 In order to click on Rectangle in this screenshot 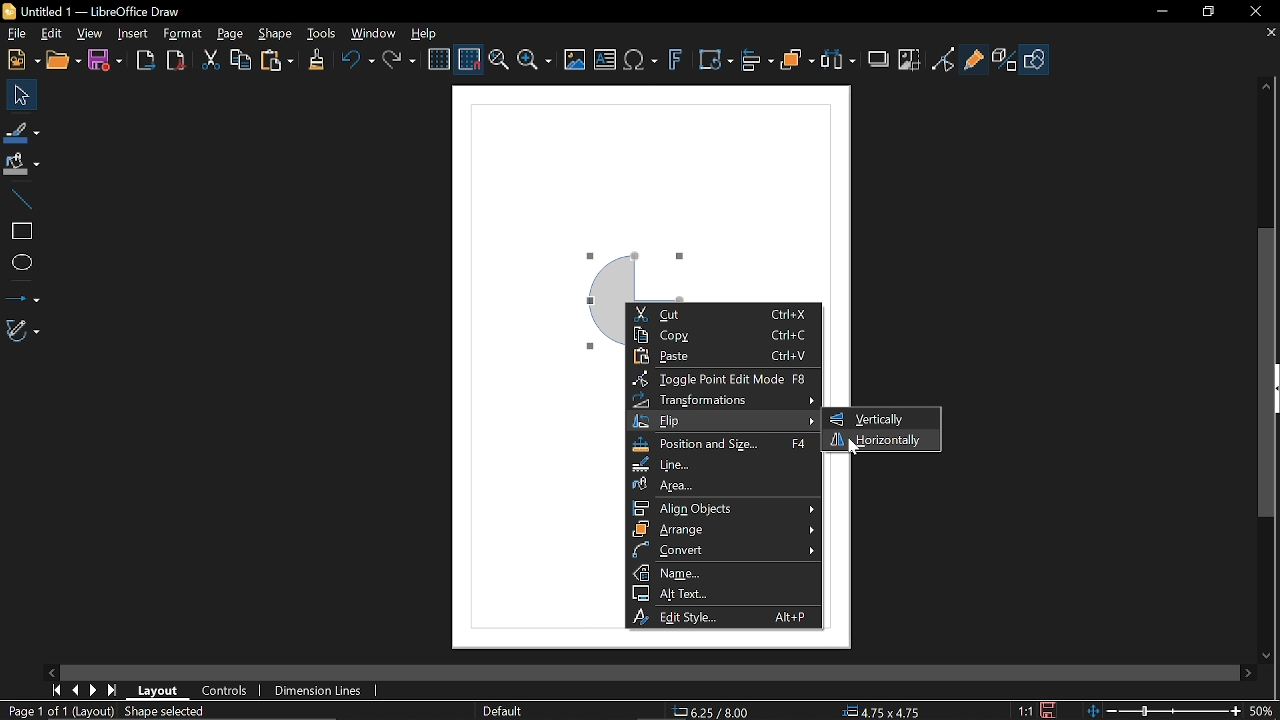, I will do `click(18, 231)`.